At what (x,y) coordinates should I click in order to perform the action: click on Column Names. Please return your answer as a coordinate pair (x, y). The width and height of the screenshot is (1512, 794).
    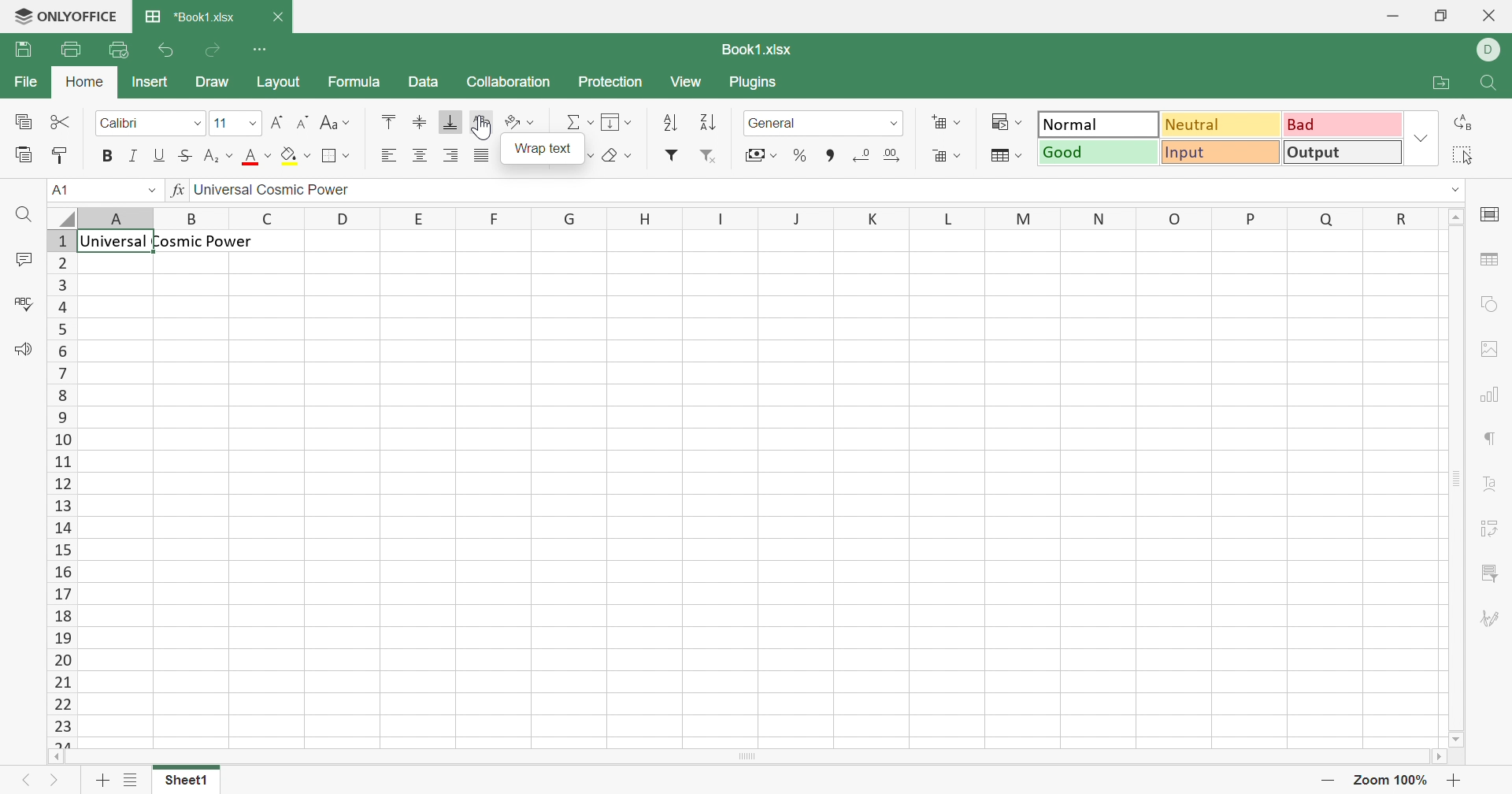
    Looking at the image, I should click on (740, 215).